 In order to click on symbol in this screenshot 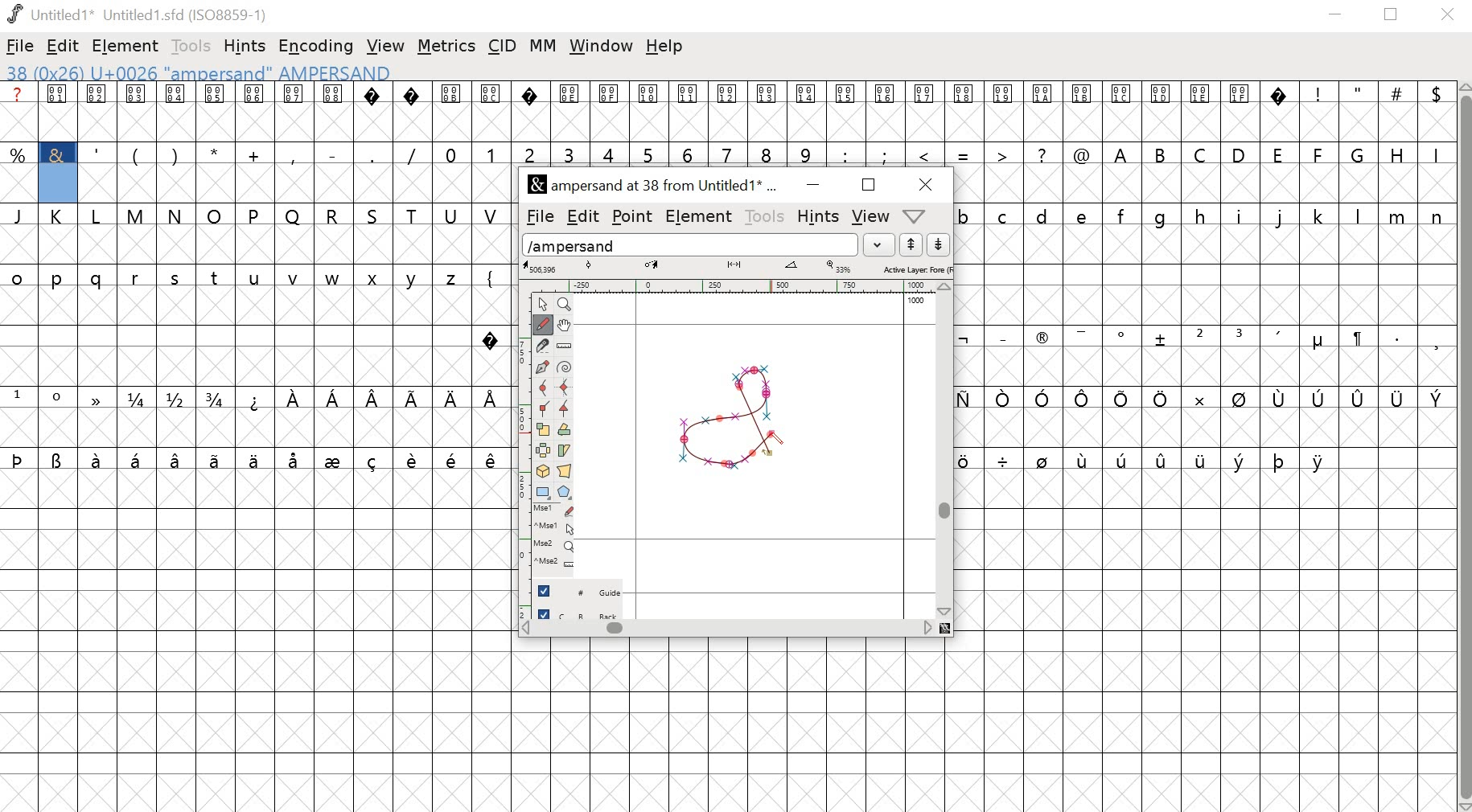, I will do `click(1281, 399)`.